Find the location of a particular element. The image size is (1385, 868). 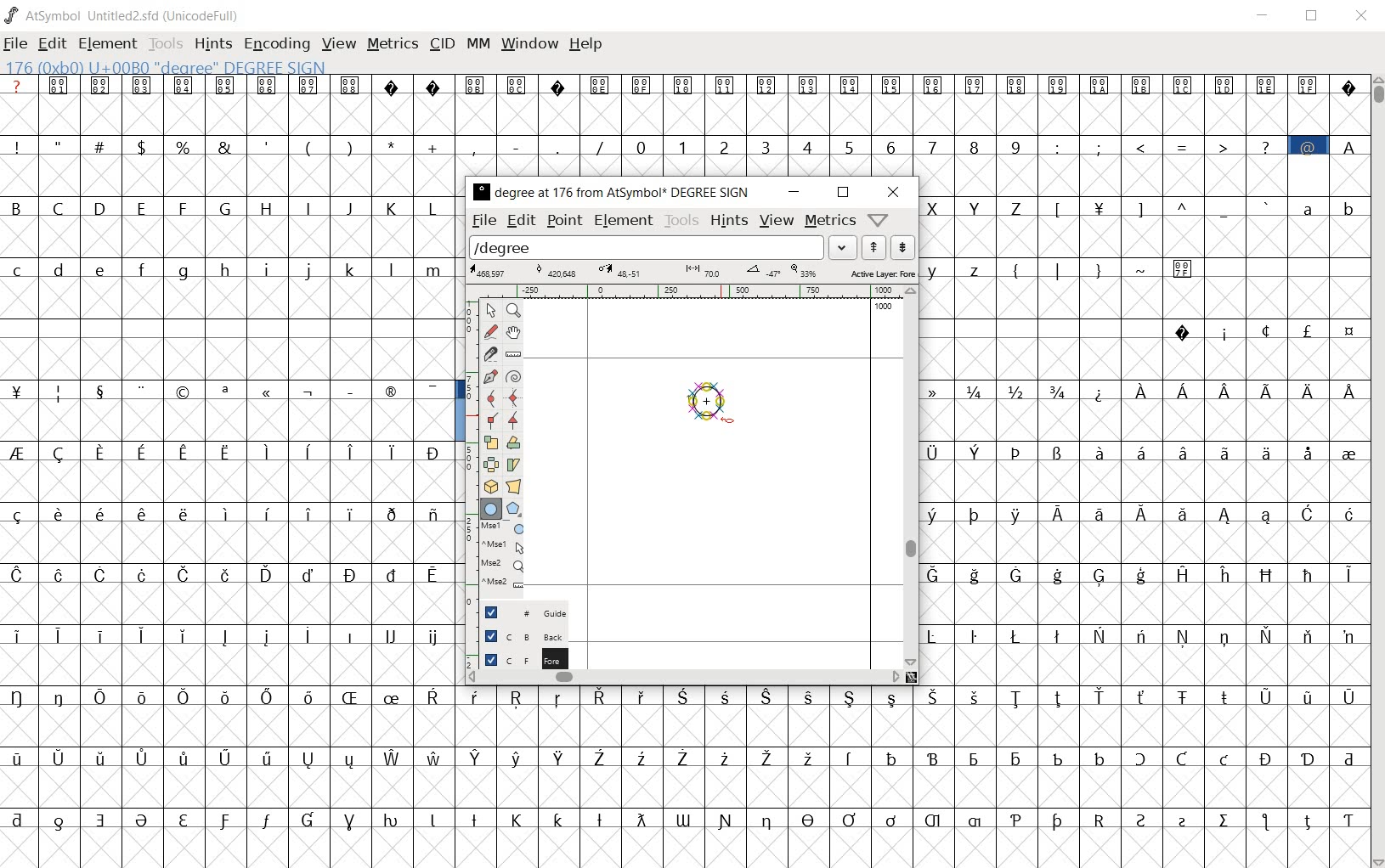

load word list is located at coordinates (662, 246).